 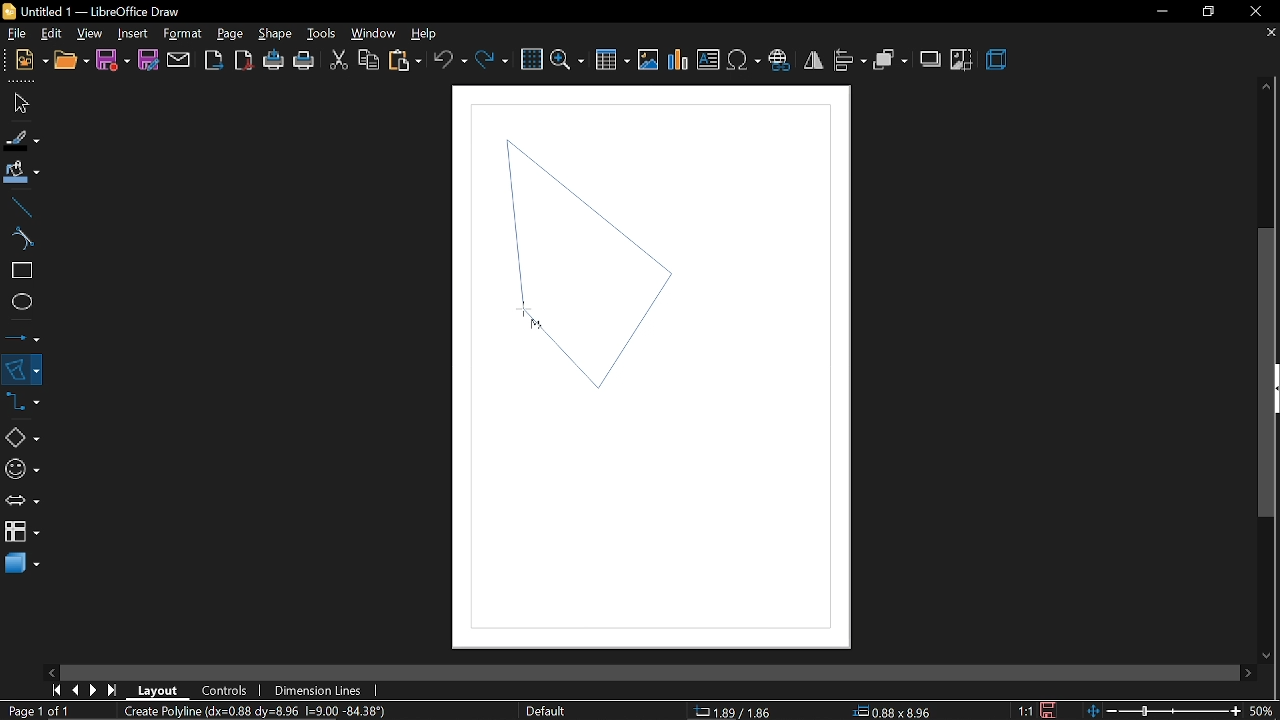 What do you see at coordinates (849, 59) in the screenshot?
I see `align` at bounding box center [849, 59].